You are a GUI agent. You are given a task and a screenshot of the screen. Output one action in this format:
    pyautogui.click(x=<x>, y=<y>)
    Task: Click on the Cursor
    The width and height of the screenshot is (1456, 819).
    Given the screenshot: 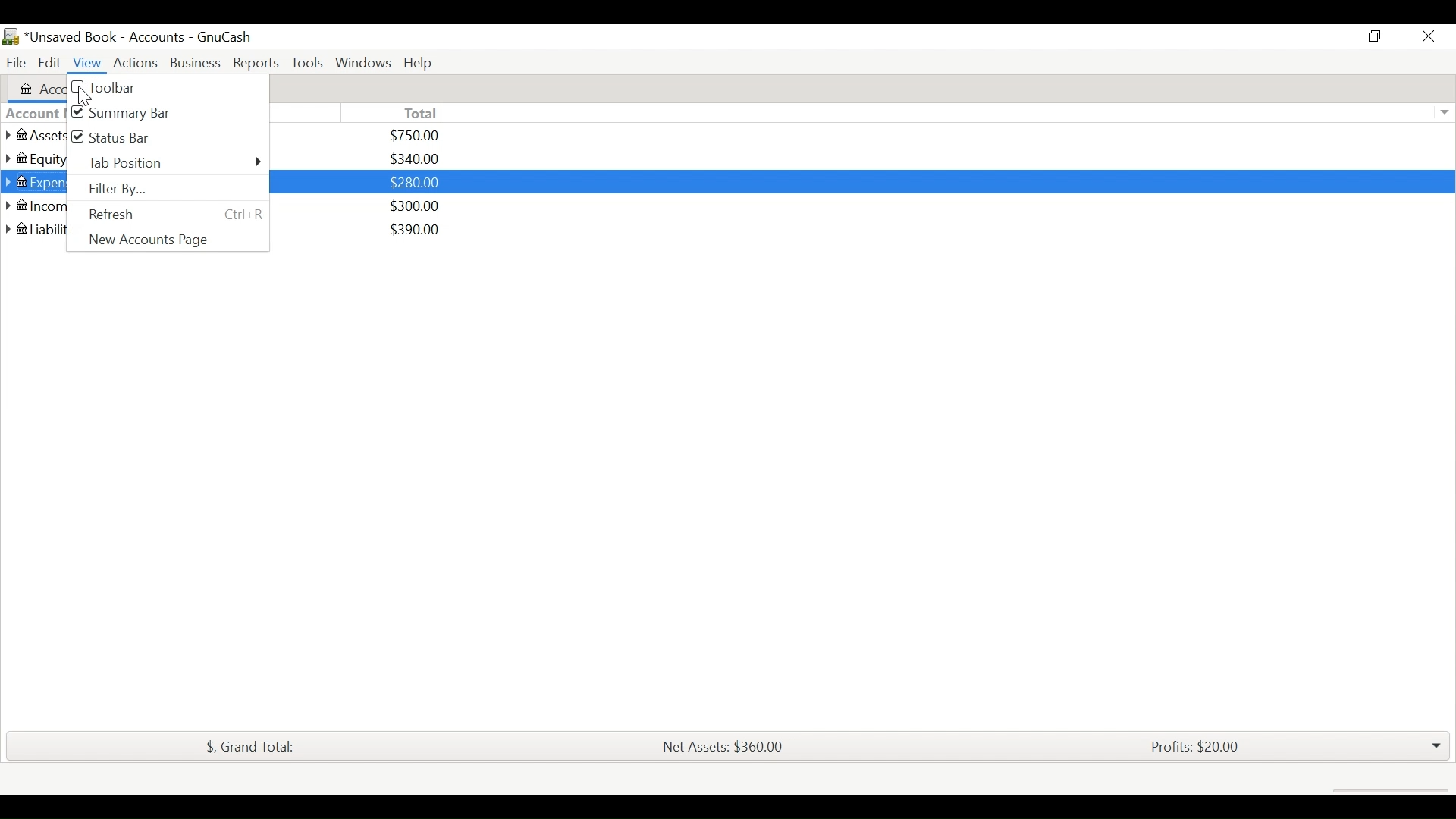 What is the action you would take?
    pyautogui.click(x=84, y=95)
    